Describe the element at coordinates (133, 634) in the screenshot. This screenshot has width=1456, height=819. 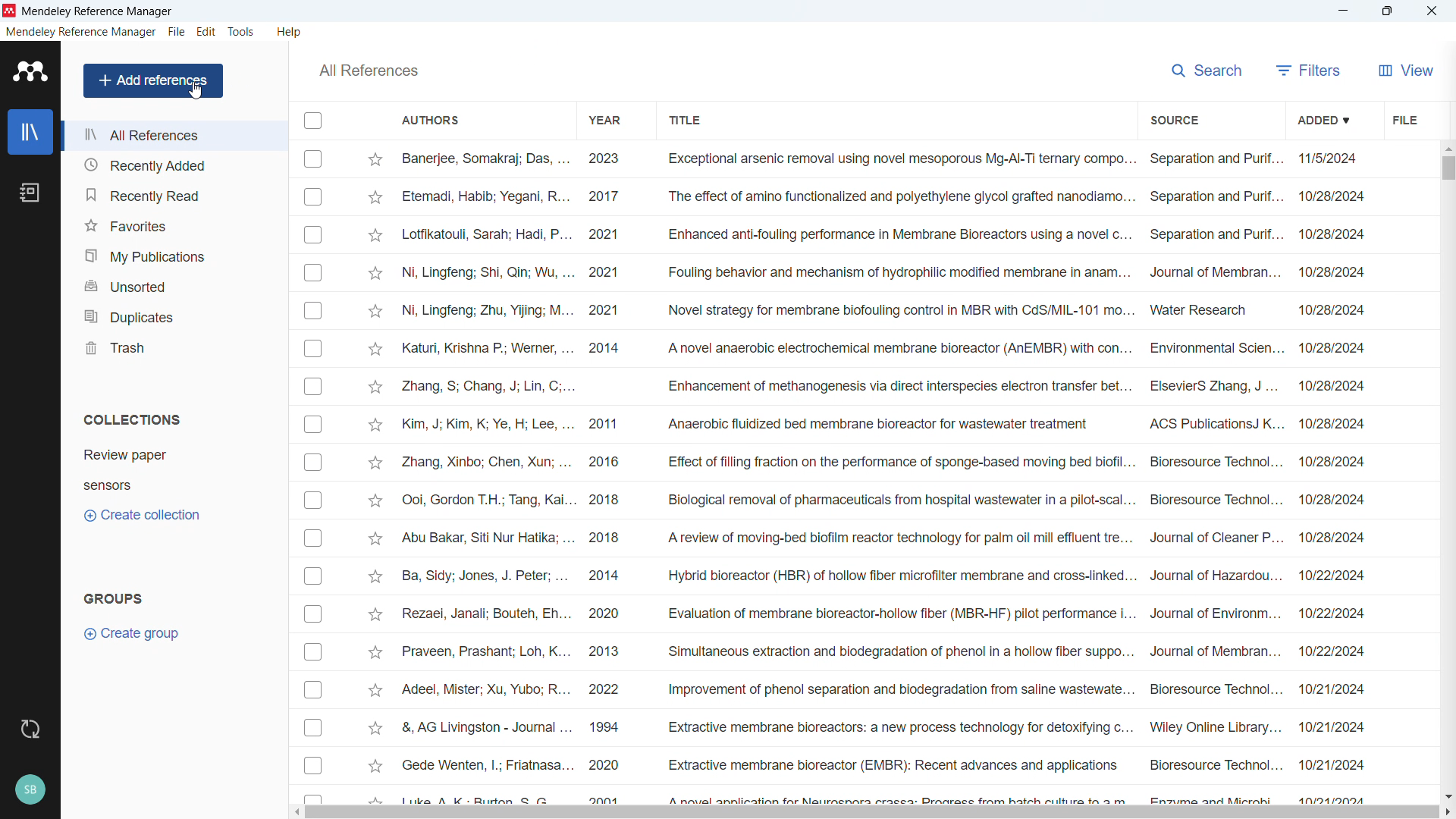
I see `Create group ` at that location.